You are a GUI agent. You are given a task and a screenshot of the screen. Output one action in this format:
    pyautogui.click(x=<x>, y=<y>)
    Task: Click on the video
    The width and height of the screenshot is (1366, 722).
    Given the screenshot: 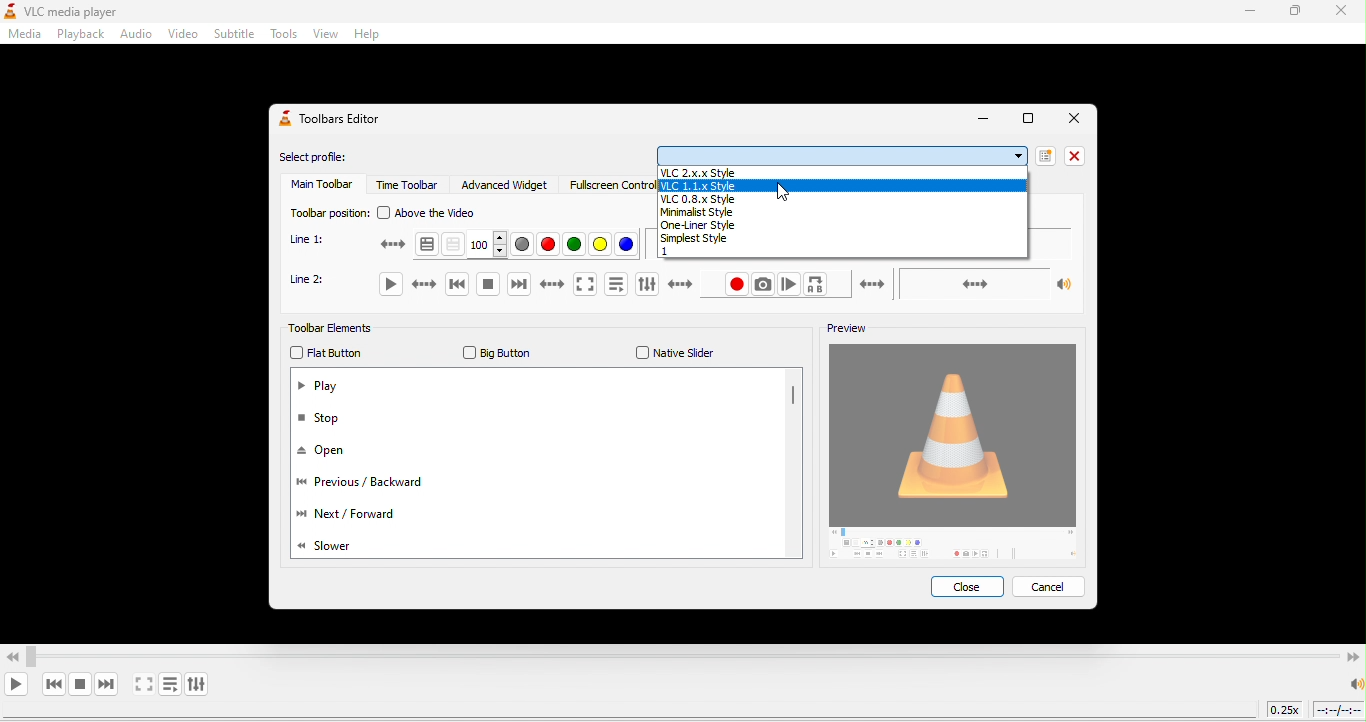 What is the action you would take?
    pyautogui.click(x=181, y=35)
    